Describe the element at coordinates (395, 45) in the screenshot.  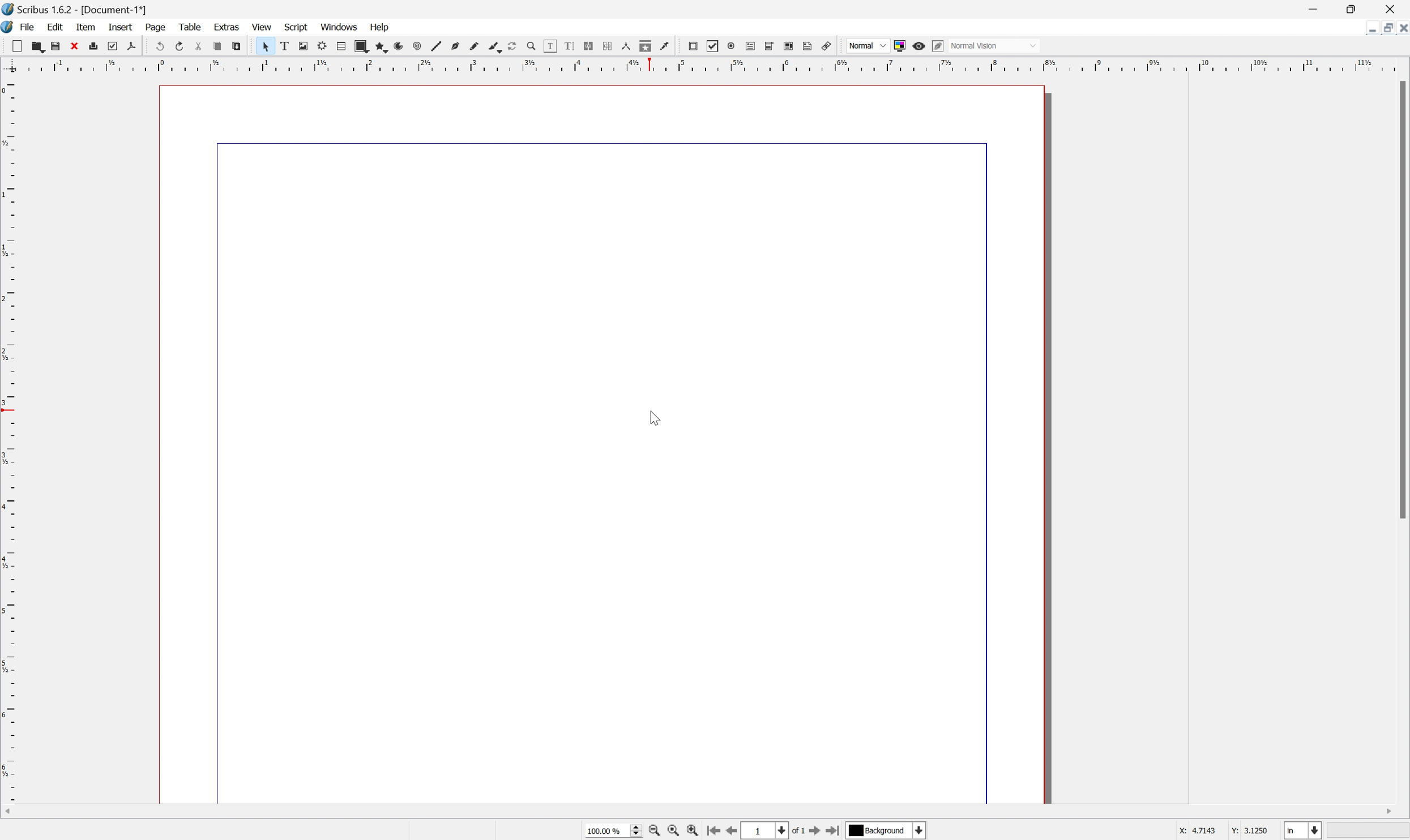
I see `arc` at that location.